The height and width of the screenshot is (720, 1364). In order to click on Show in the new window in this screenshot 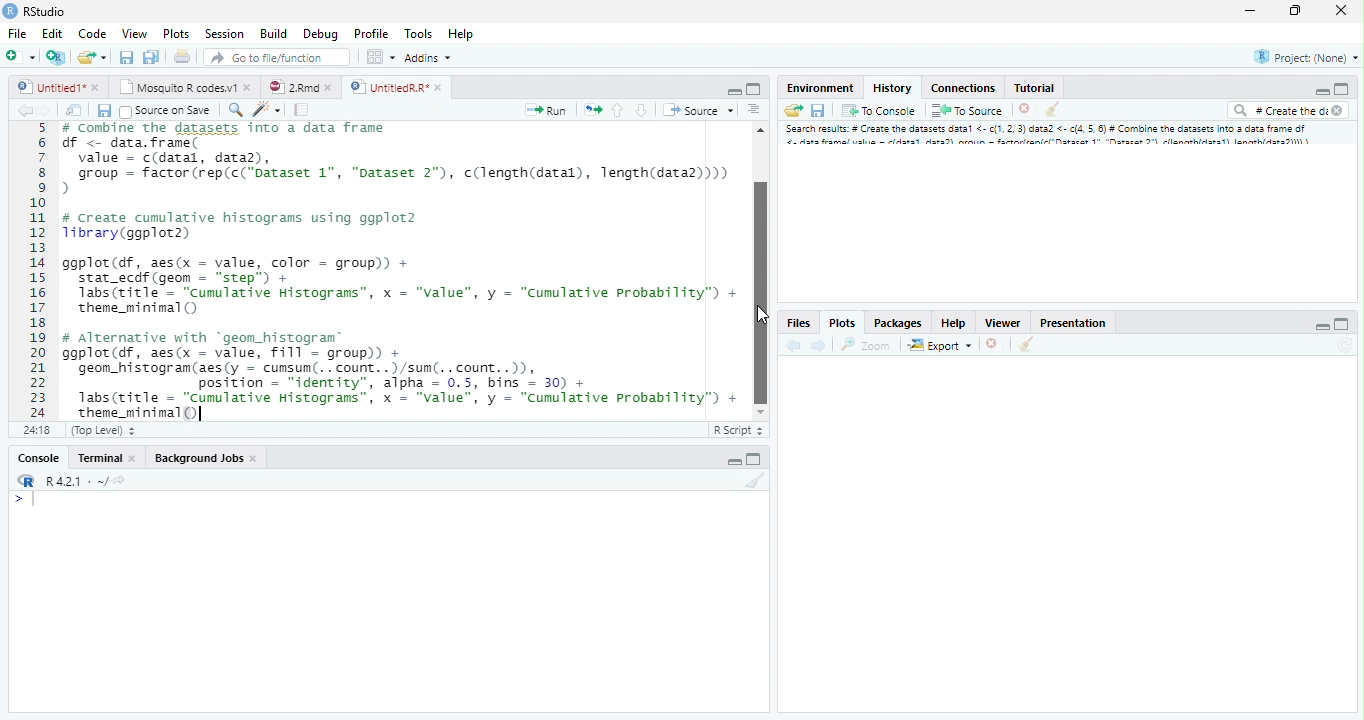, I will do `click(72, 110)`.